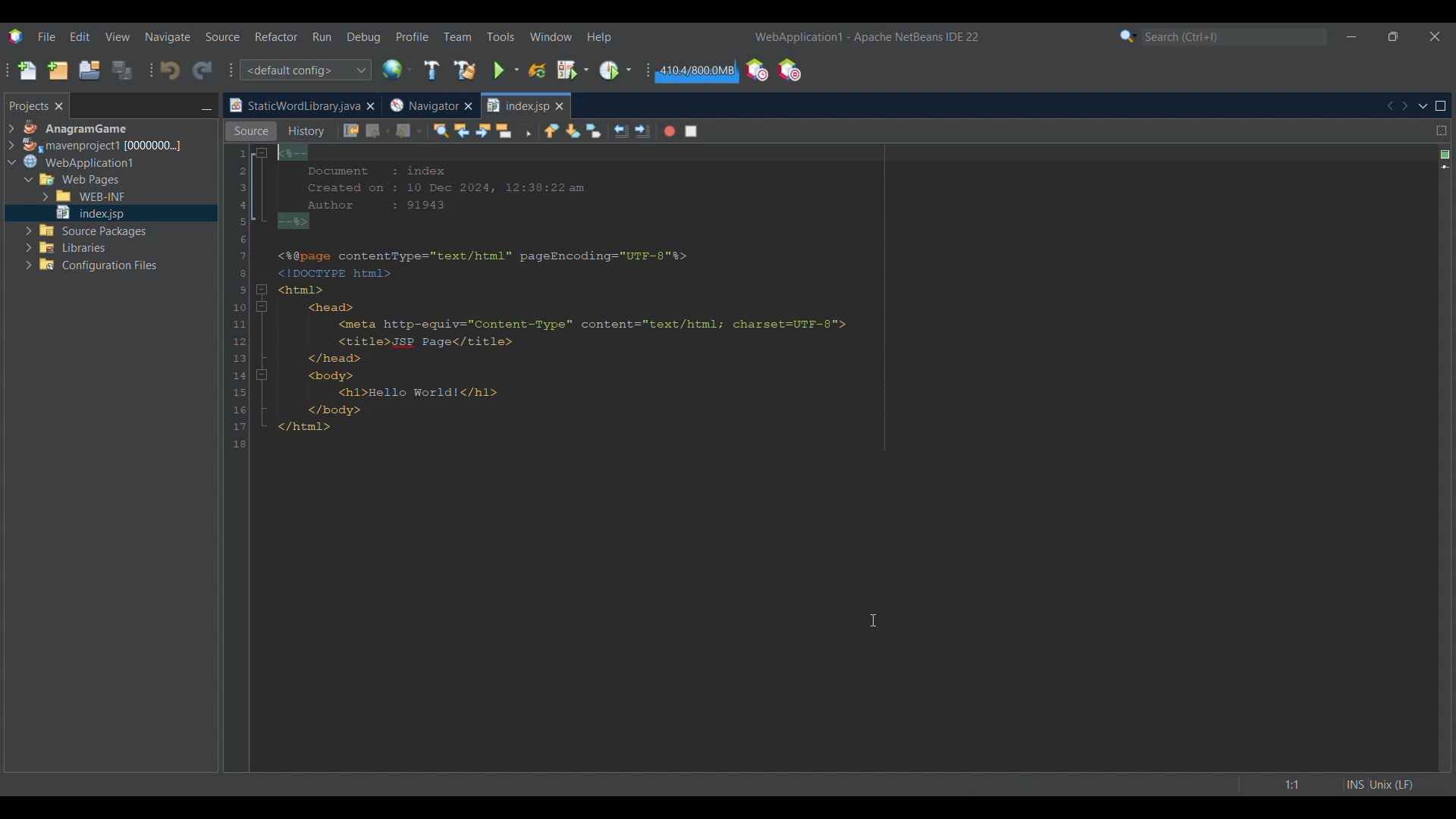 This screenshot has width=1456, height=819. I want to click on Toggle rectangular selection, so click(525, 130).